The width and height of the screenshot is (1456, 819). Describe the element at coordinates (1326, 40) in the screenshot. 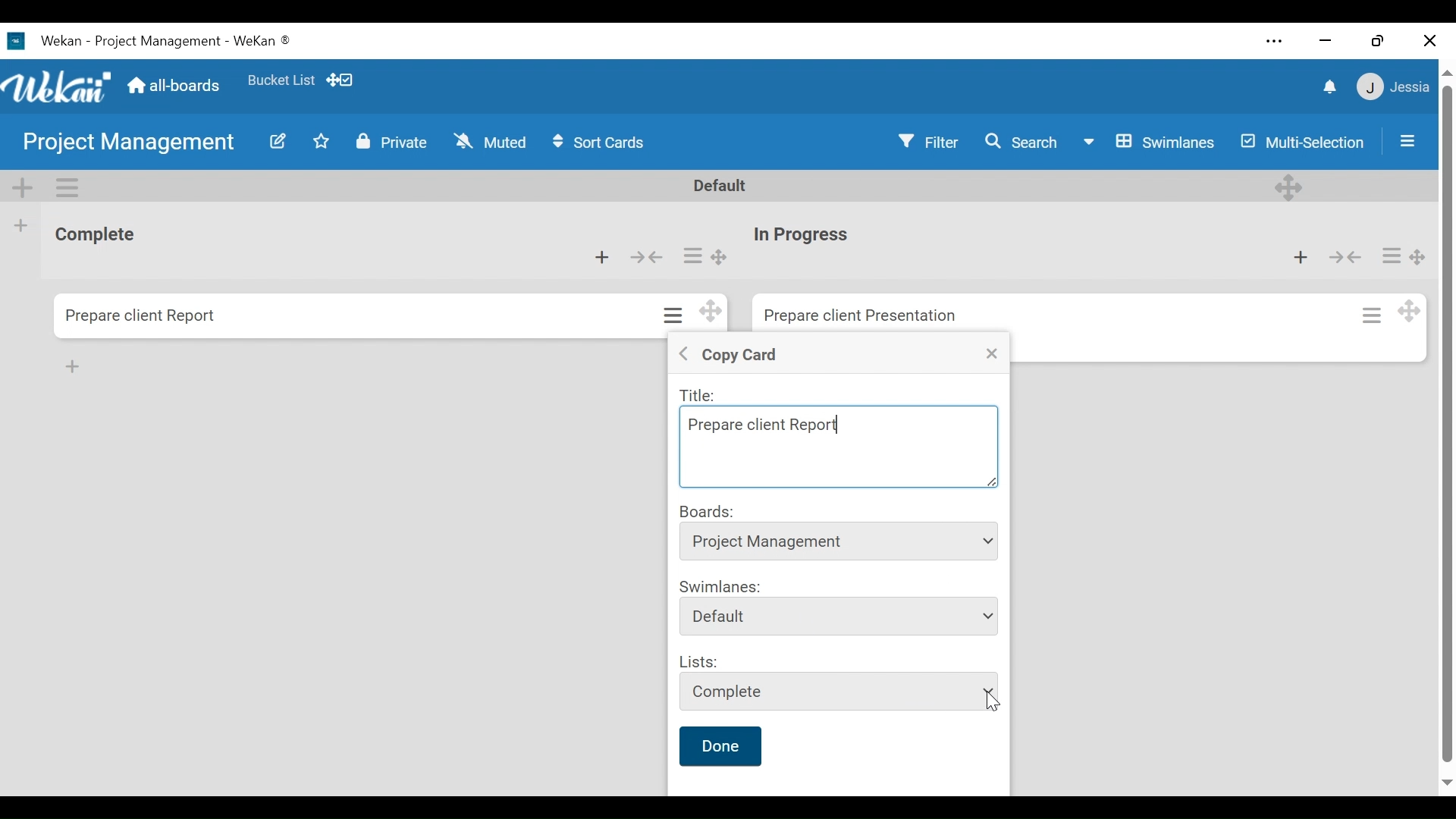

I see `minimize` at that location.